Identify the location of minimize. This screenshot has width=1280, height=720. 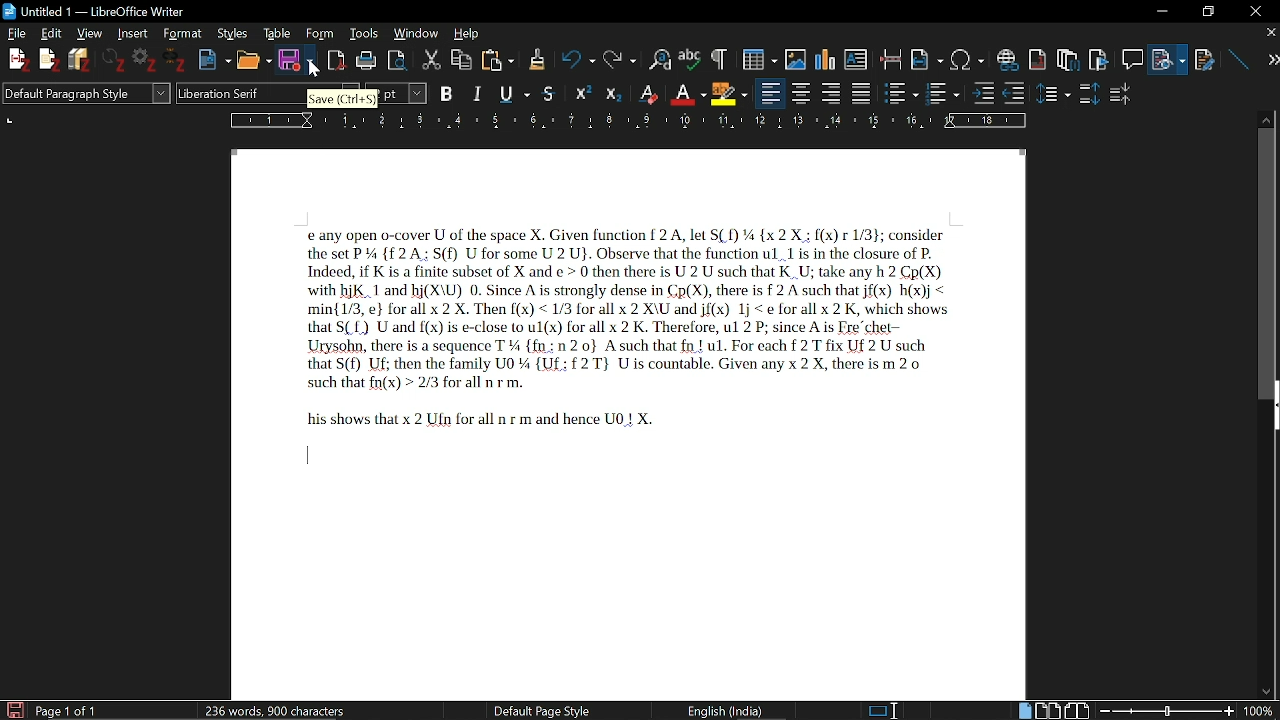
(1166, 12).